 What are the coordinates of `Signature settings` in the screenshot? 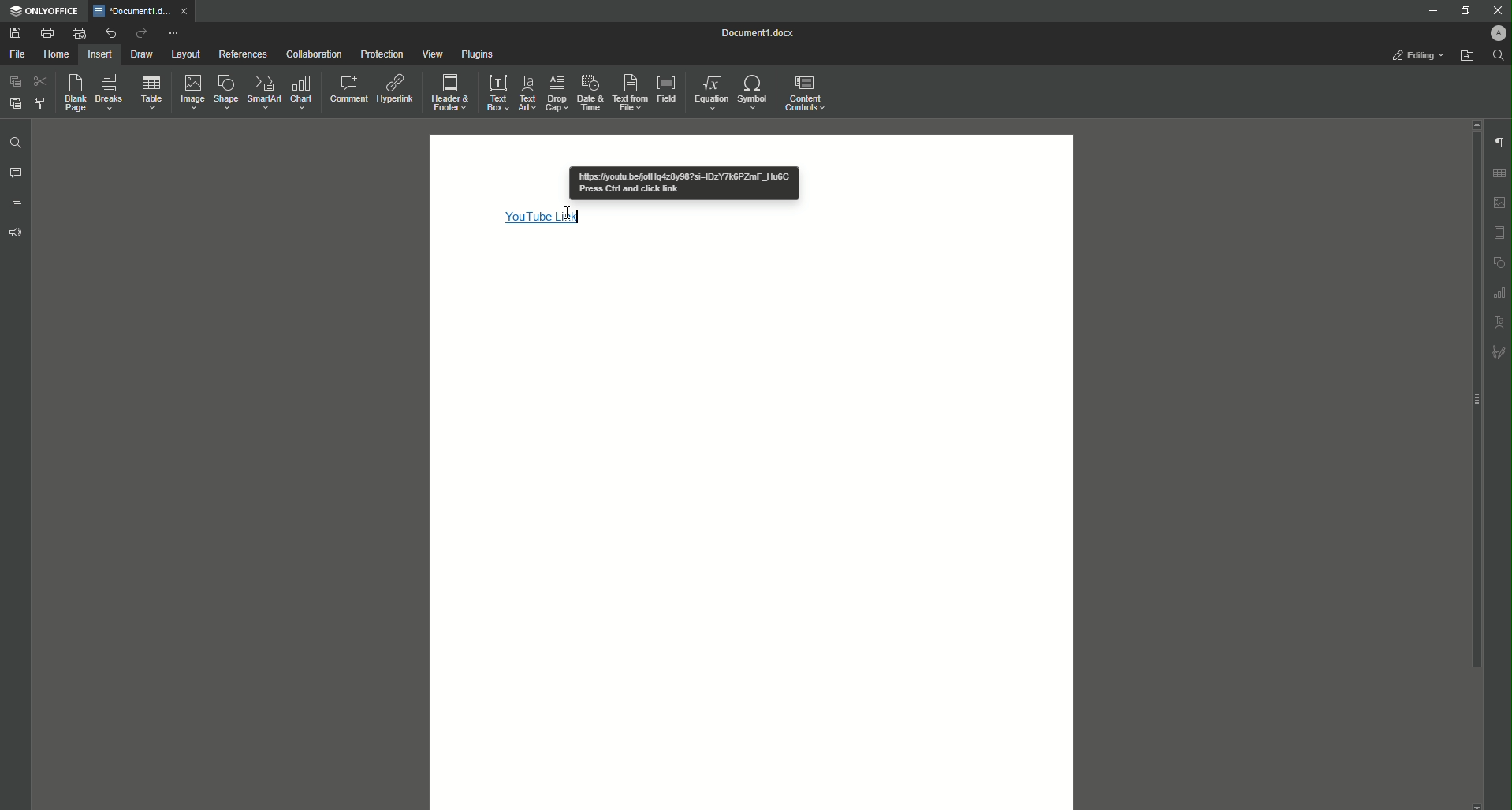 It's located at (1501, 351).